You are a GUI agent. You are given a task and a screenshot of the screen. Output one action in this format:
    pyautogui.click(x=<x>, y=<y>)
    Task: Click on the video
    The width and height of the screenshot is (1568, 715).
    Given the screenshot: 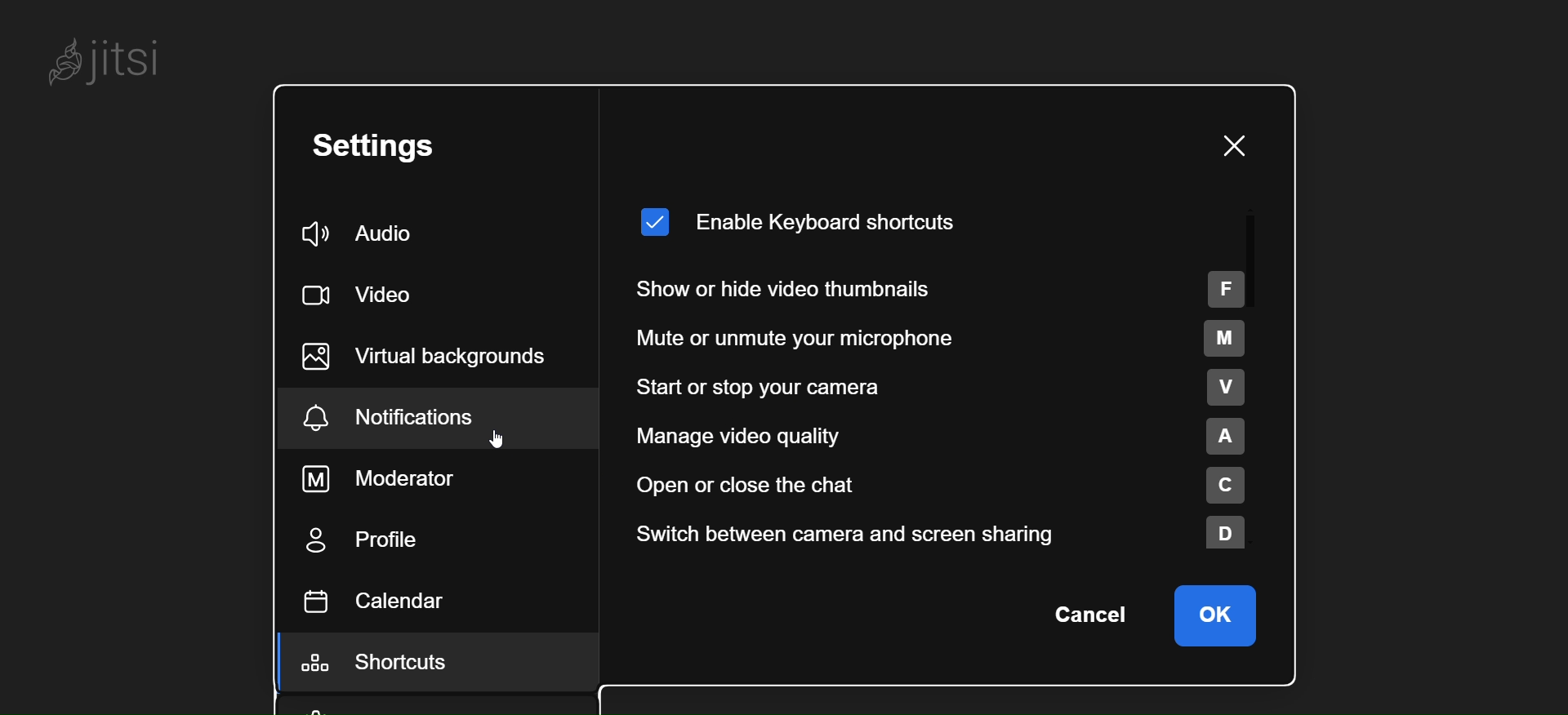 What is the action you would take?
    pyautogui.click(x=368, y=294)
    